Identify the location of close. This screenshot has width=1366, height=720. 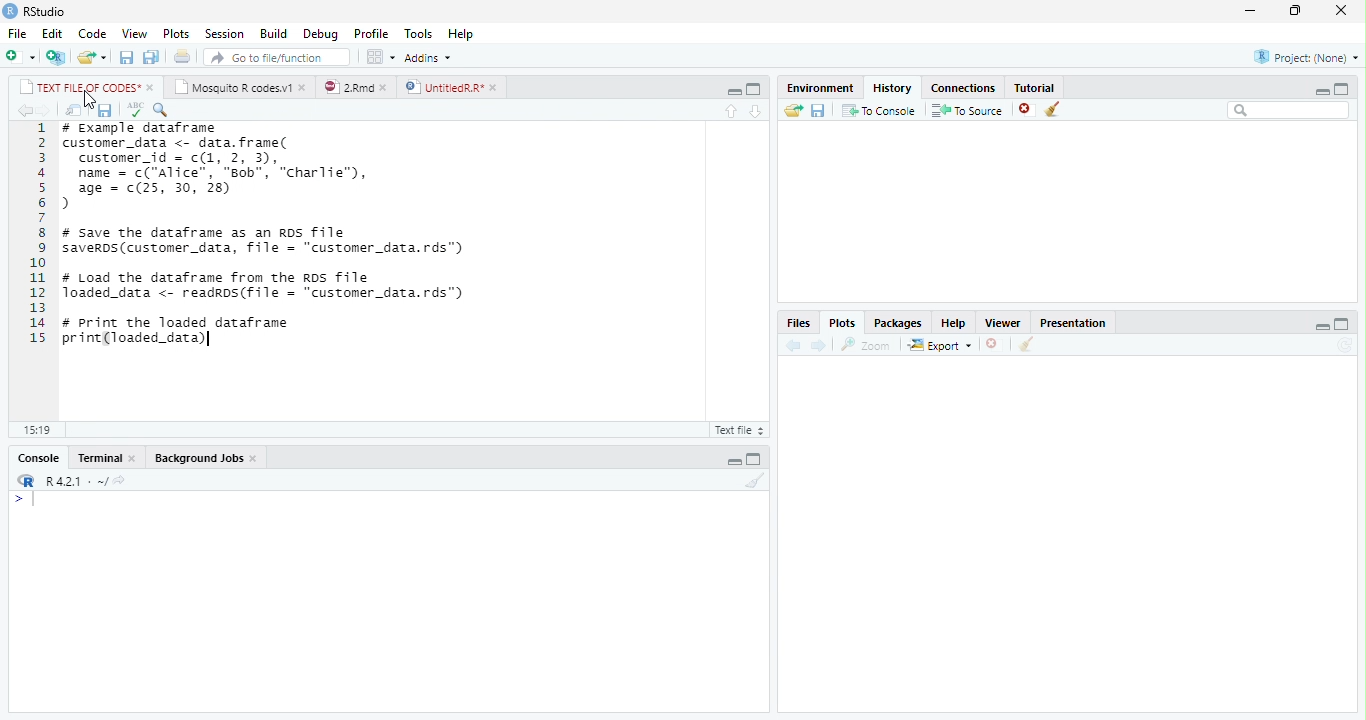
(256, 459).